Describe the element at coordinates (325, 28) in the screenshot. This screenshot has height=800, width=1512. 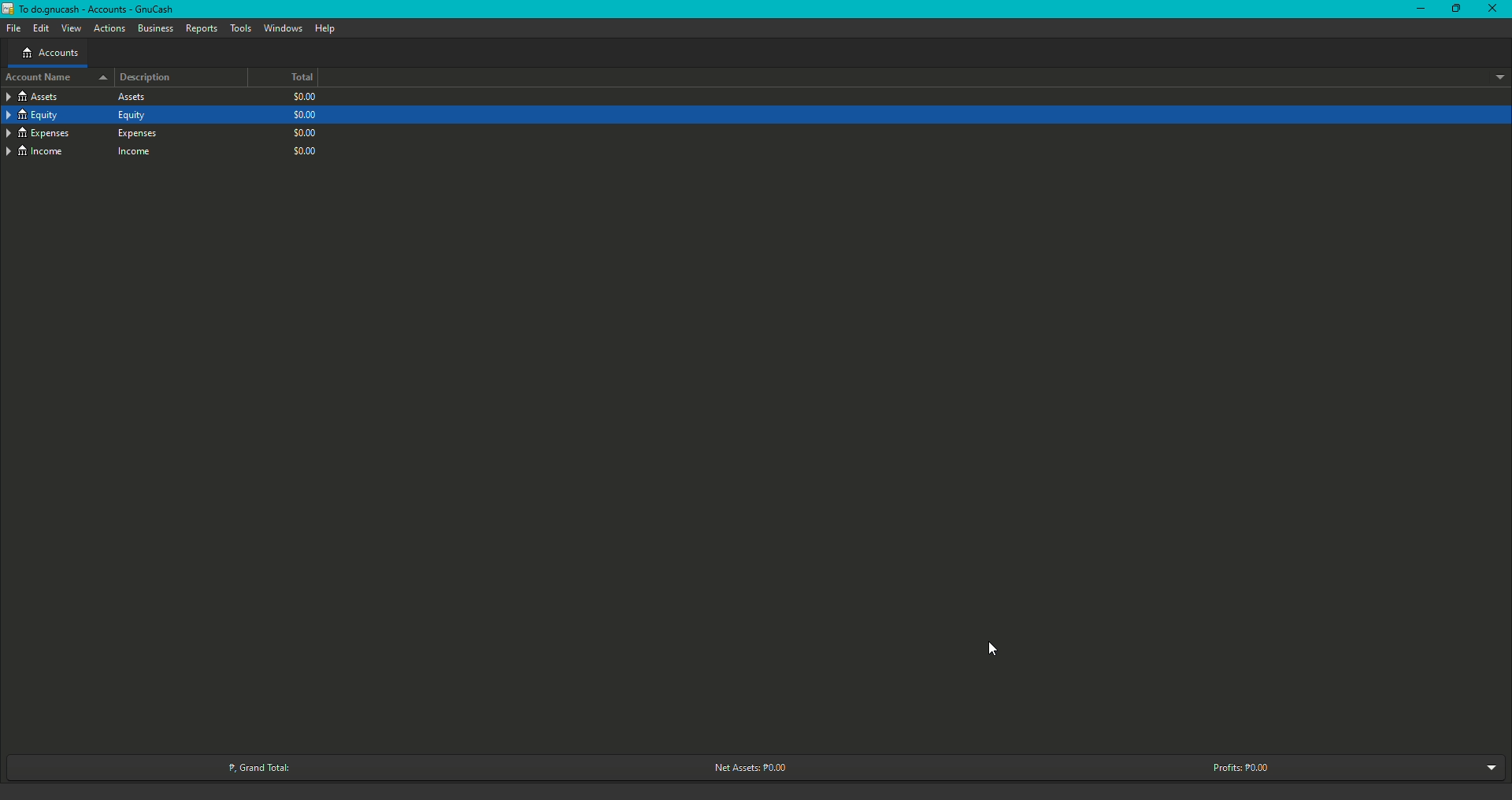
I see `Help` at that location.